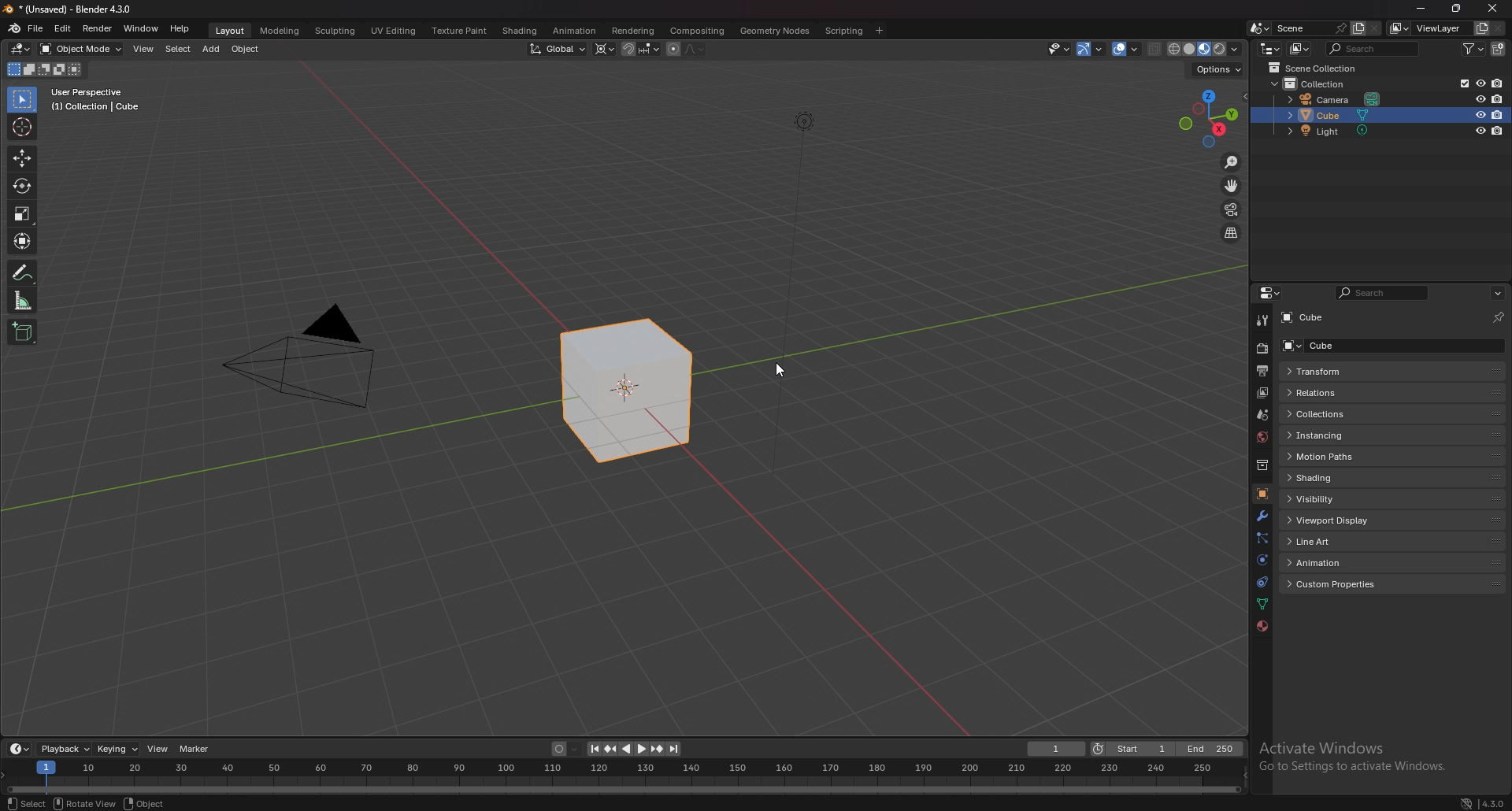 The image size is (1512, 811). What do you see at coordinates (1261, 465) in the screenshot?
I see `collection` at bounding box center [1261, 465].